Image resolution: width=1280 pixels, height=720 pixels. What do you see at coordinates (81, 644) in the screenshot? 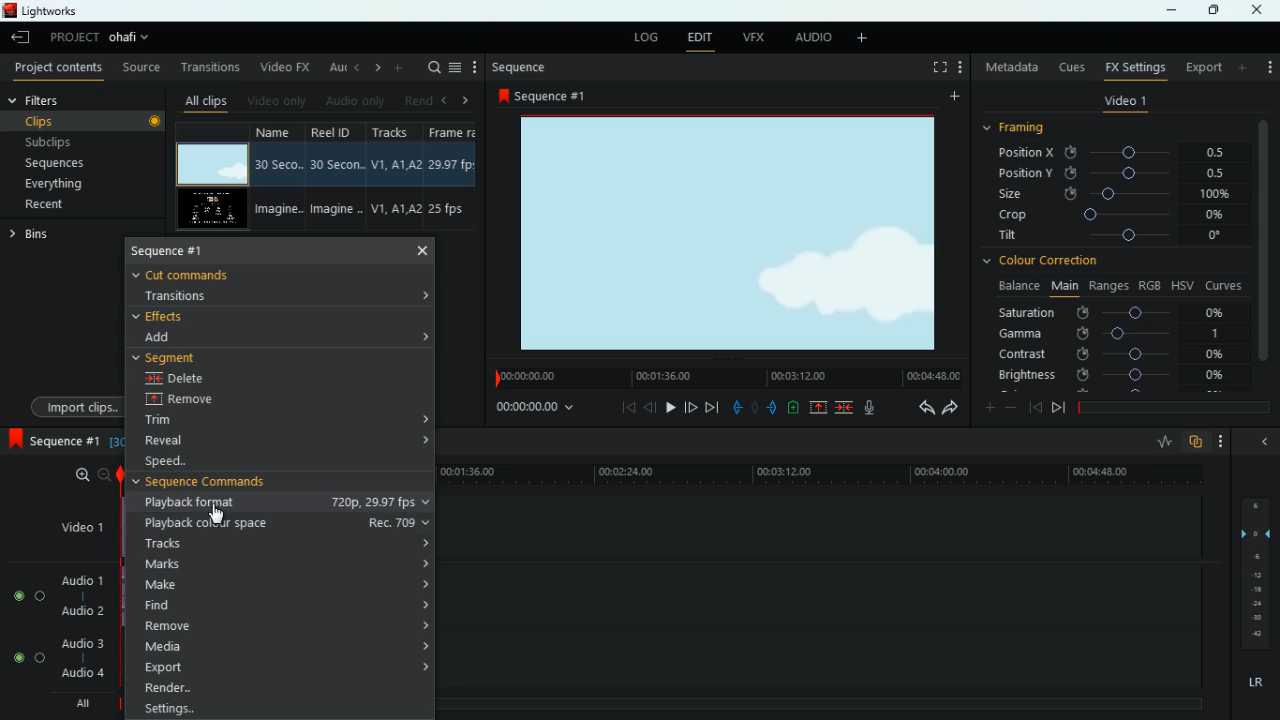
I see `audio 3` at bounding box center [81, 644].